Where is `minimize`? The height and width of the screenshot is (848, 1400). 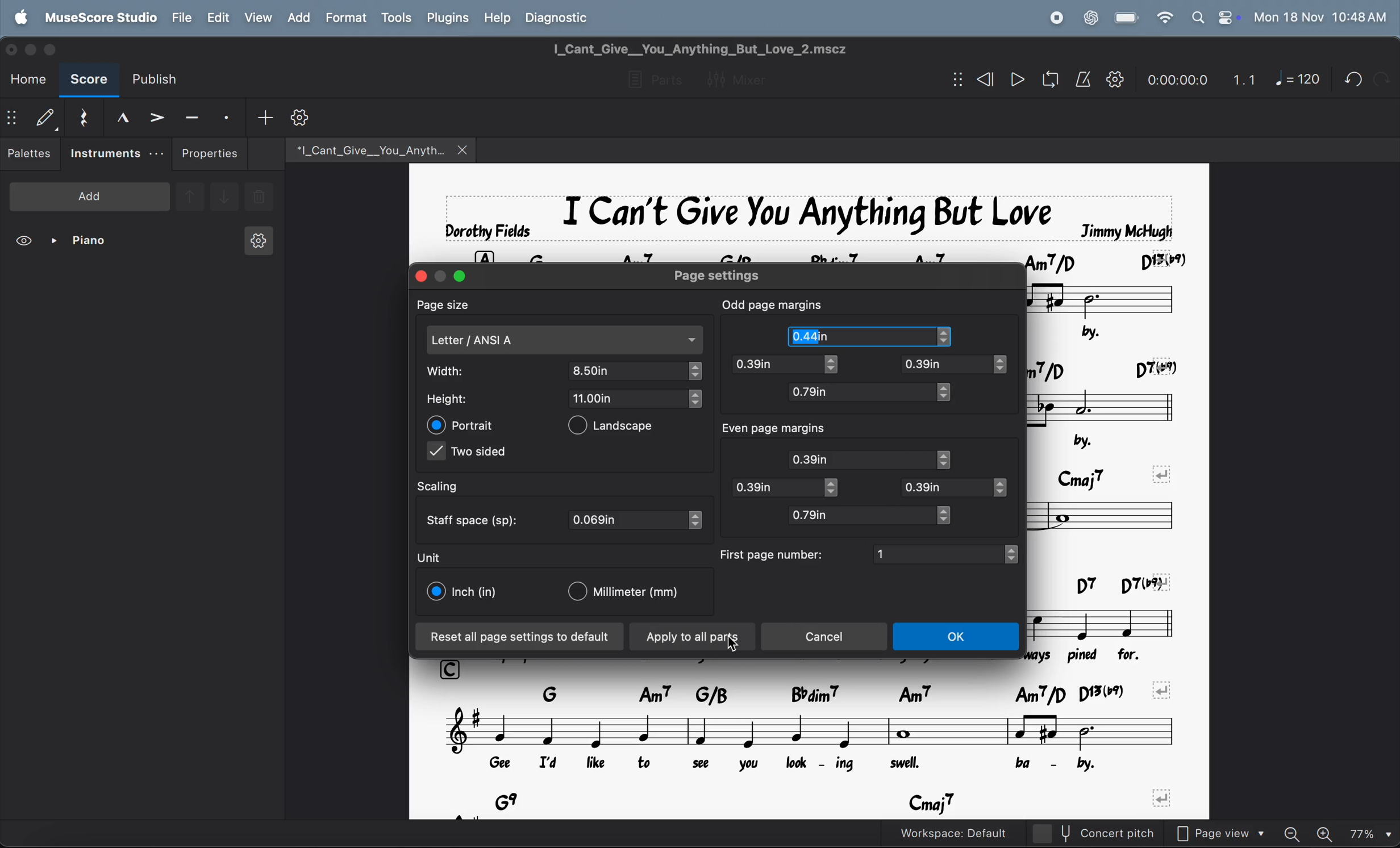
minimize is located at coordinates (441, 273).